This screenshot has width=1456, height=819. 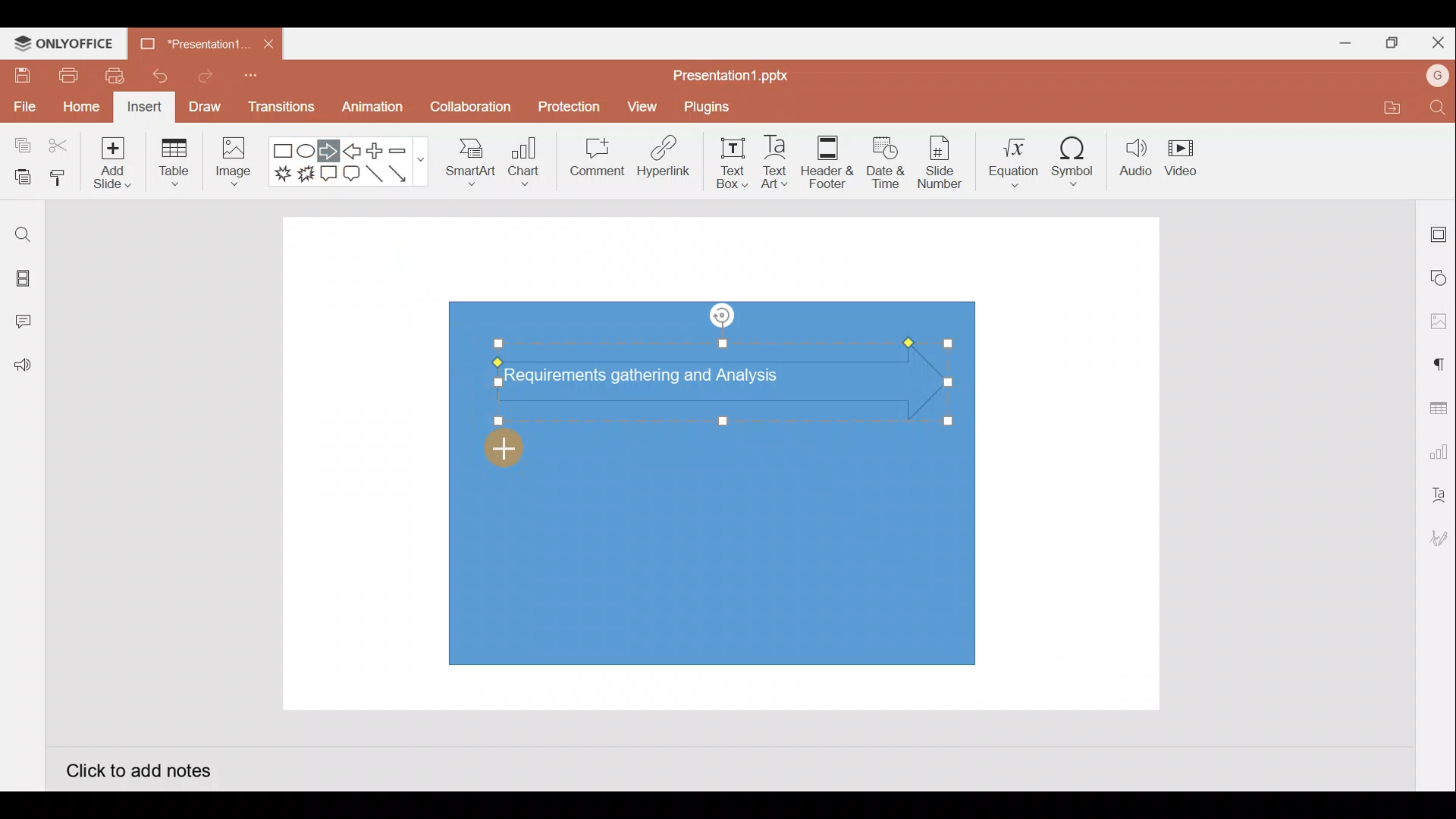 What do you see at coordinates (145, 108) in the screenshot?
I see `Insert` at bounding box center [145, 108].